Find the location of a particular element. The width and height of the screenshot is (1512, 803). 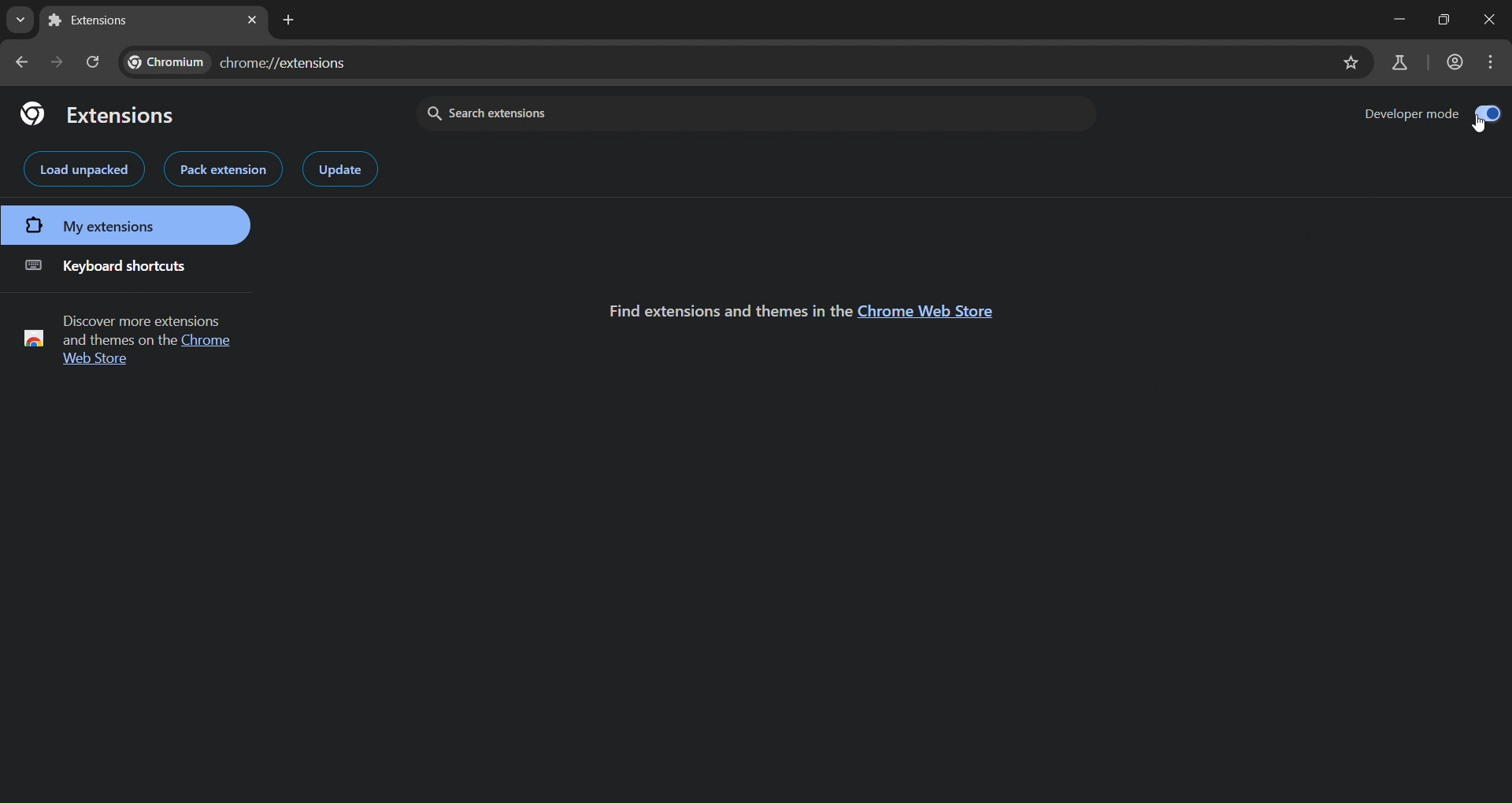

web address is located at coordinates (236, 60).